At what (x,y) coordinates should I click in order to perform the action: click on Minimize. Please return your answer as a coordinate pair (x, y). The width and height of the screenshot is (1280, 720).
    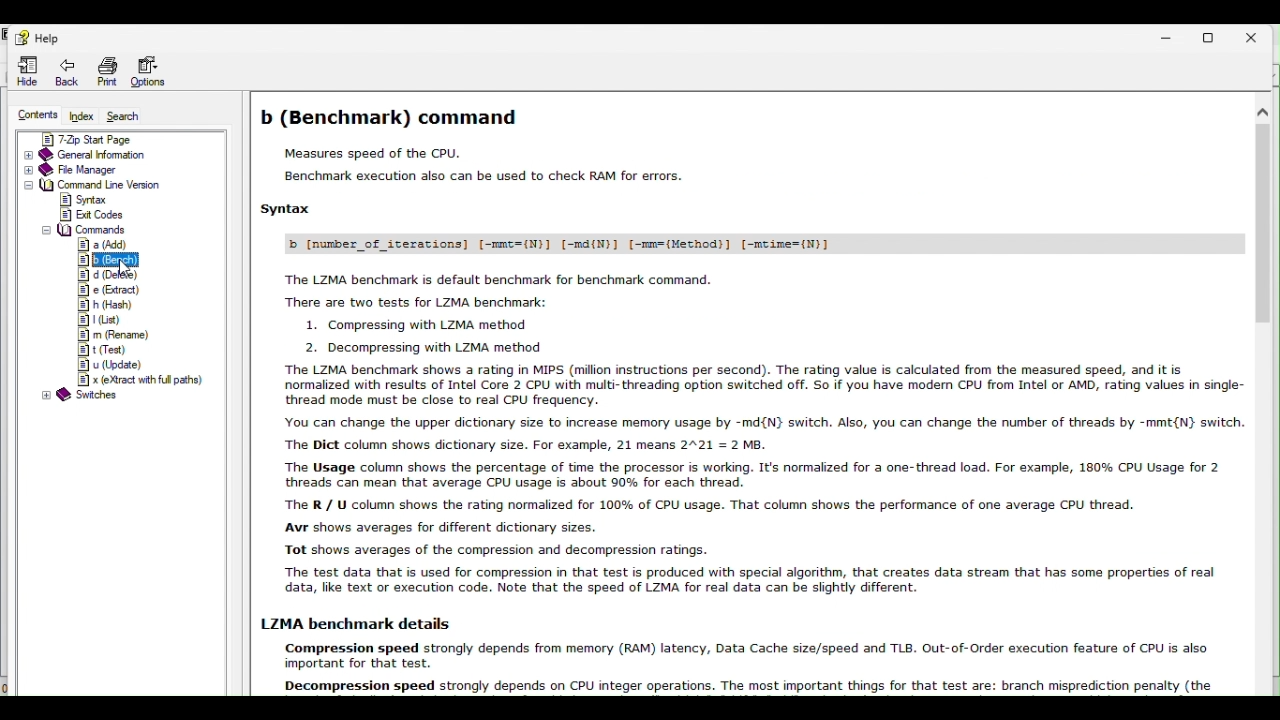
    Looking at the image, I should click on (1174, 34).